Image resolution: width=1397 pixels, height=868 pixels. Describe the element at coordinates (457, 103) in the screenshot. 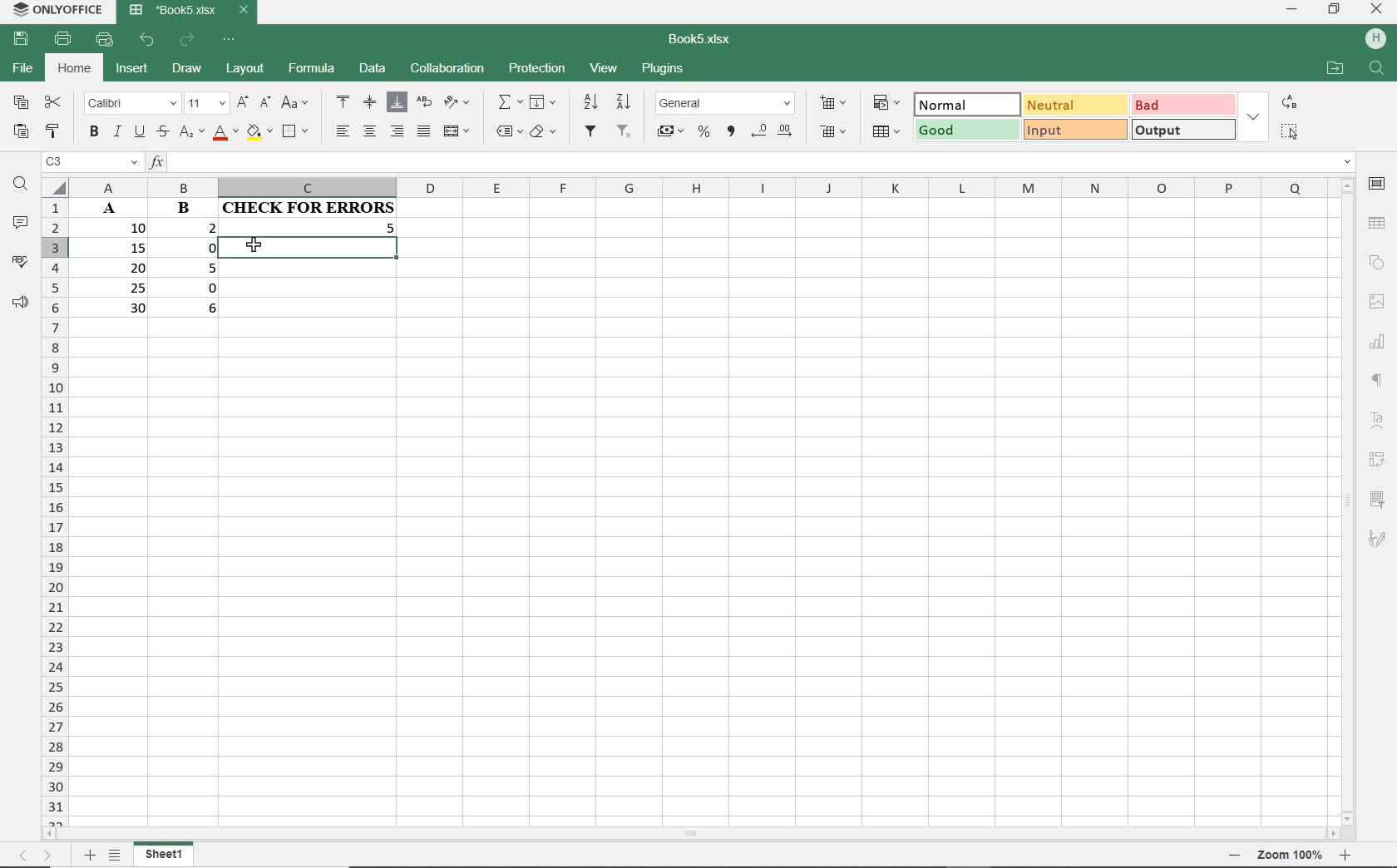

I see `ORIENTATION` at that location.